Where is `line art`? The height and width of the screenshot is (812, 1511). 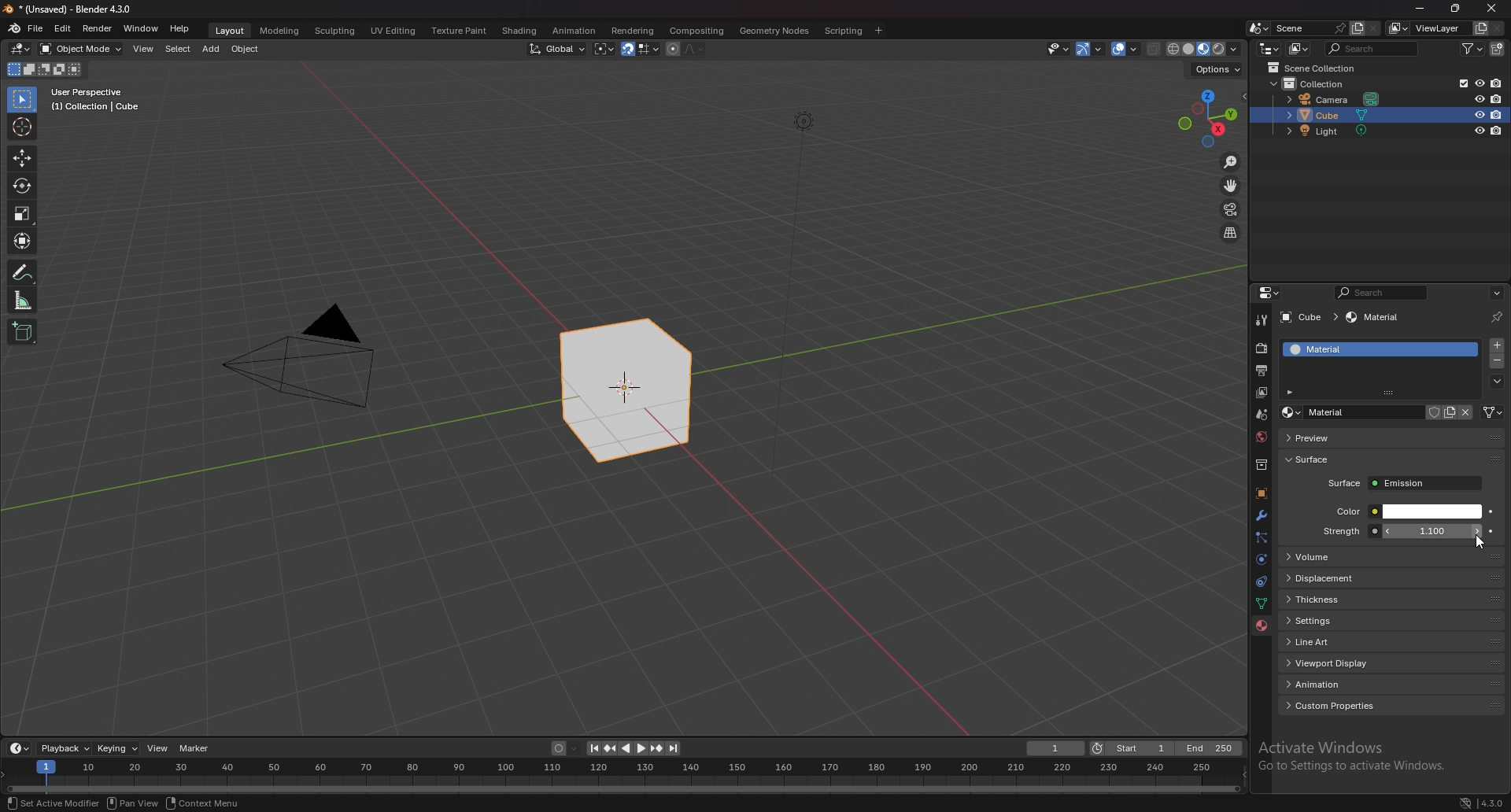 line art is located at coordinates (1391, 641).